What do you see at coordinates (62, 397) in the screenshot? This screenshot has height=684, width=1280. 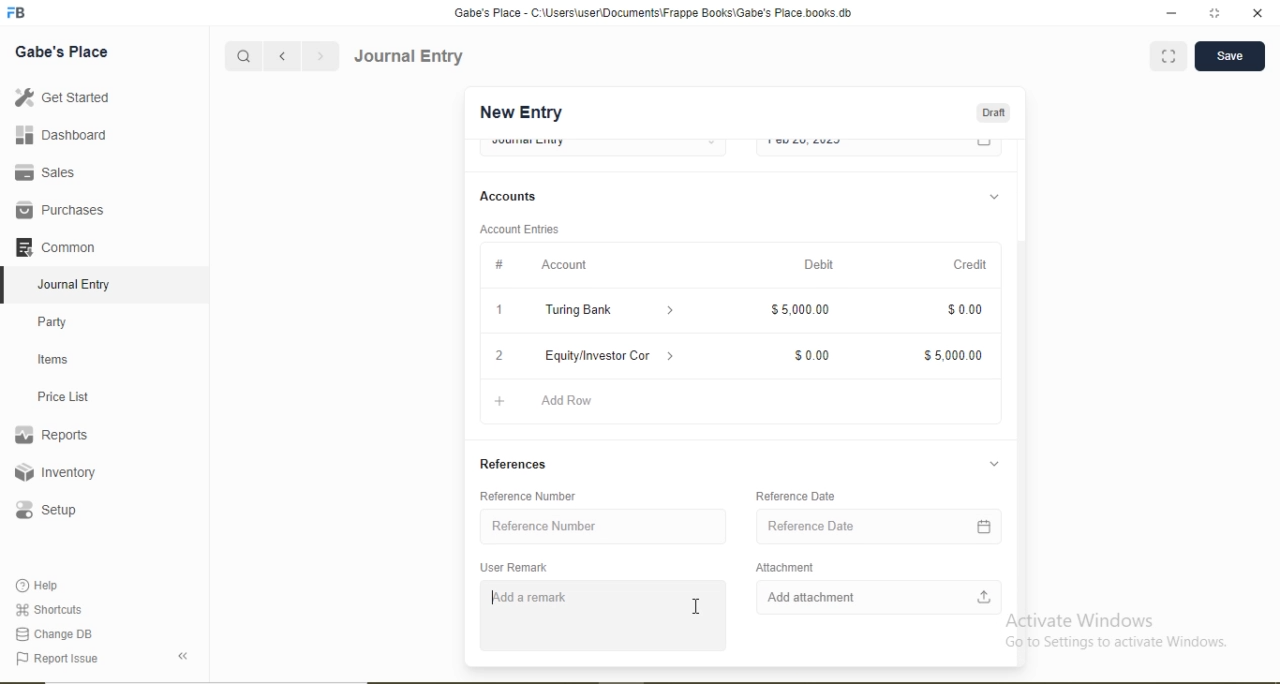 I see `Price List` at bounding box center [62, 397].